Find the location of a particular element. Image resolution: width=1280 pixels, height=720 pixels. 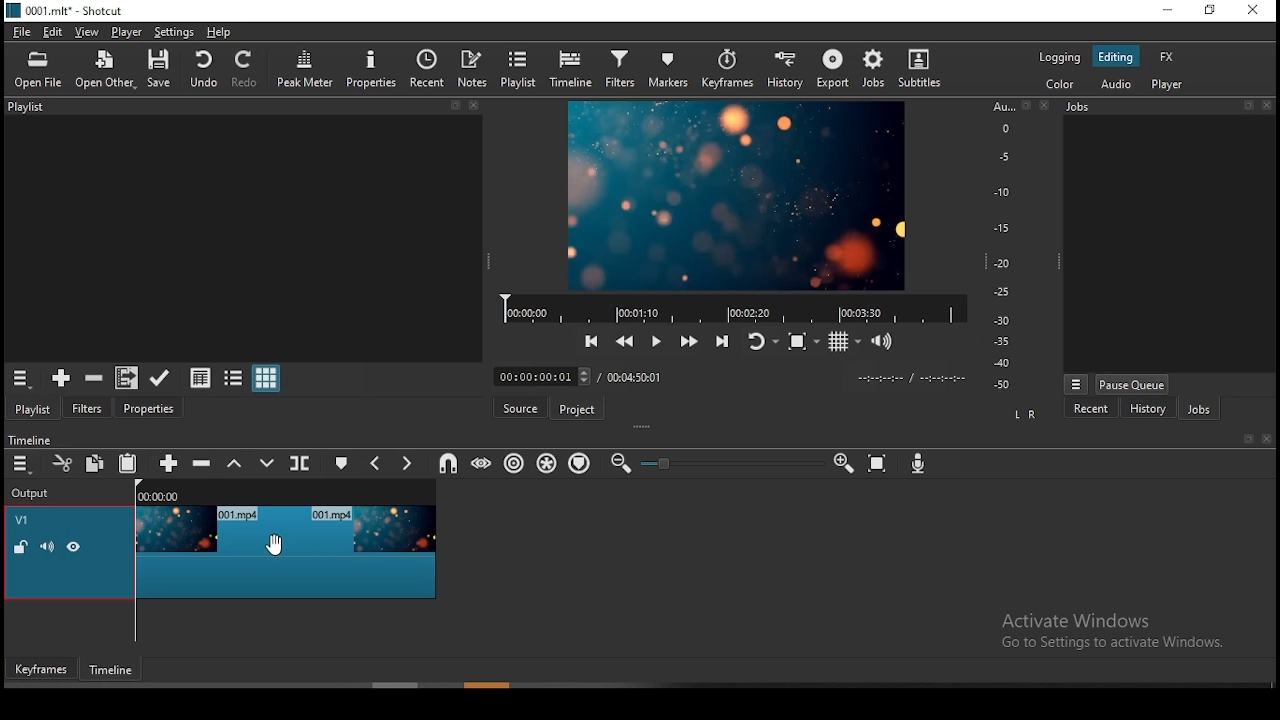

jobs is located at coordinates (1203, 409).